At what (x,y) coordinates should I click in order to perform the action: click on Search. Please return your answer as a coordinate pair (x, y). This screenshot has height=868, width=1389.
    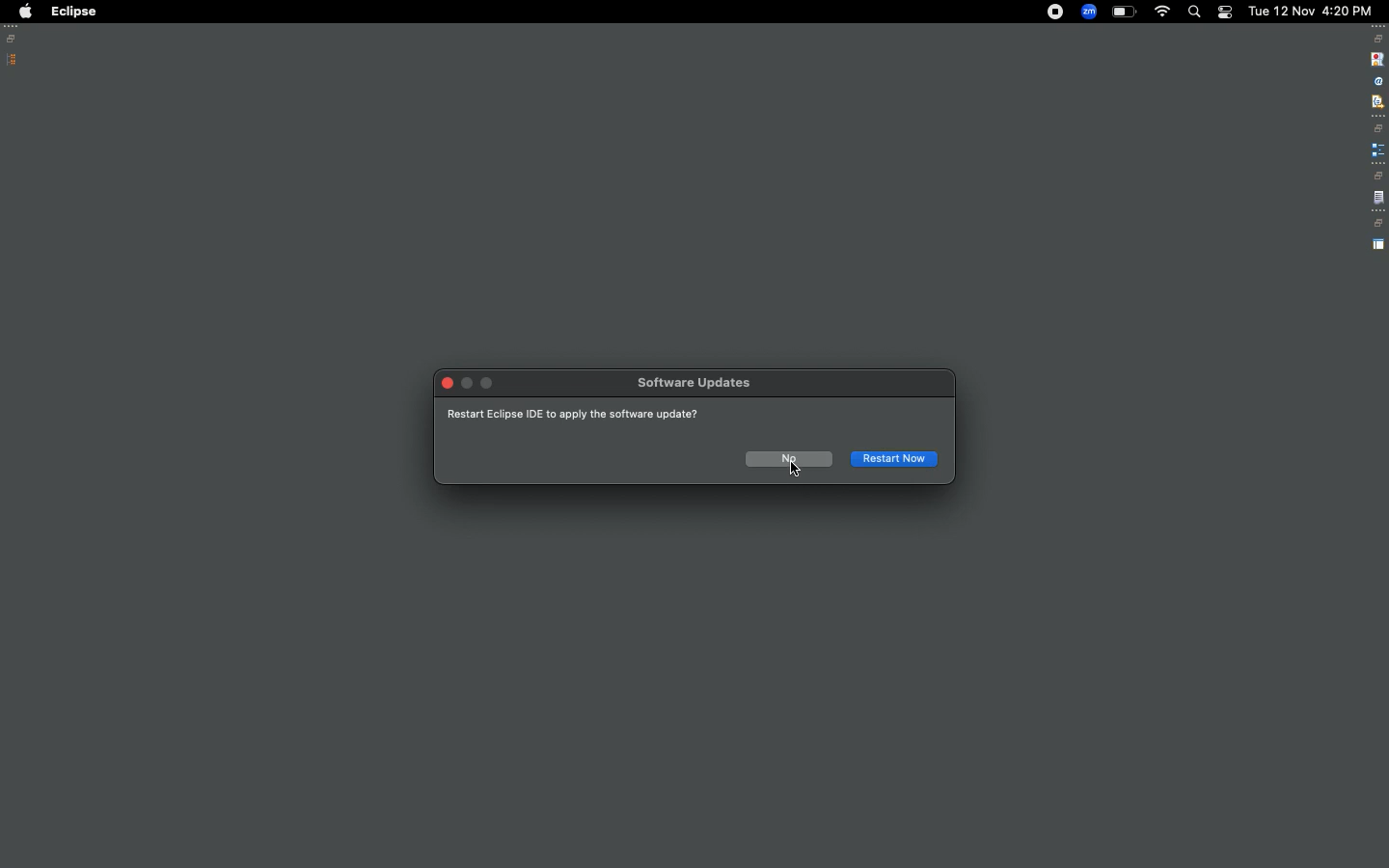
    Looking at the image, I should click on (1193, 12).